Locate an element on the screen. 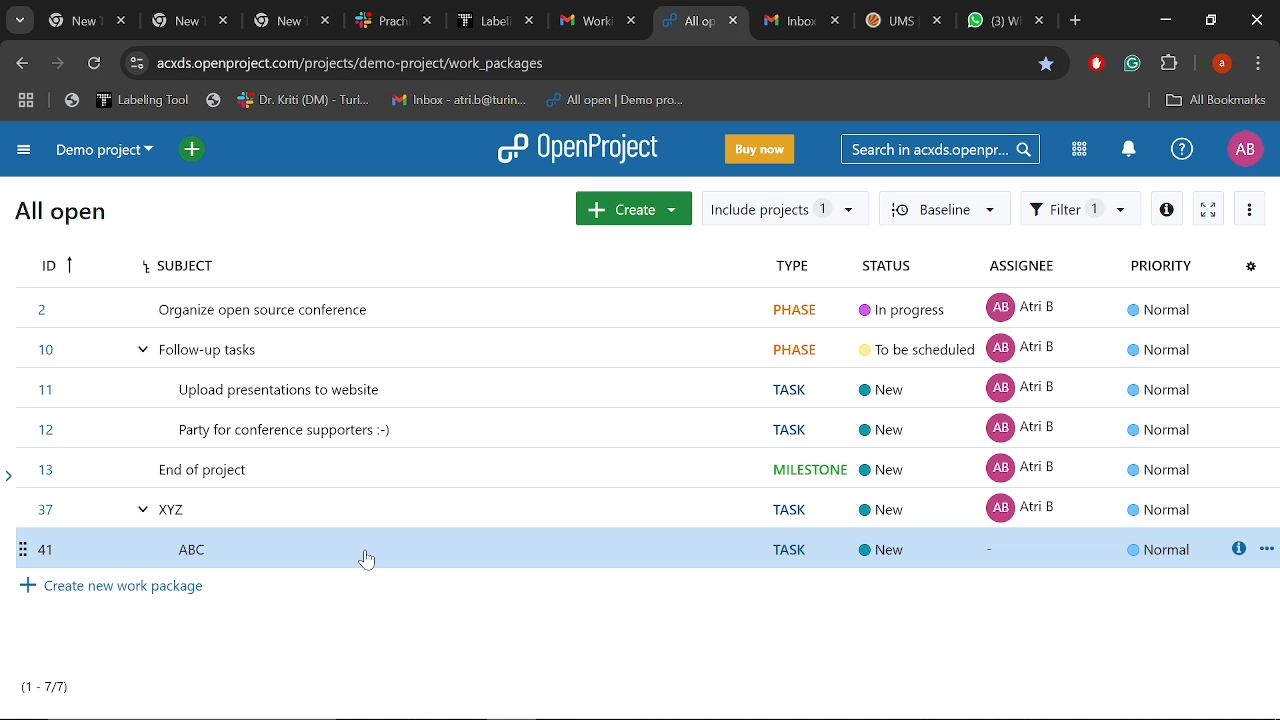  Subject is located at coordinates (433, 263).